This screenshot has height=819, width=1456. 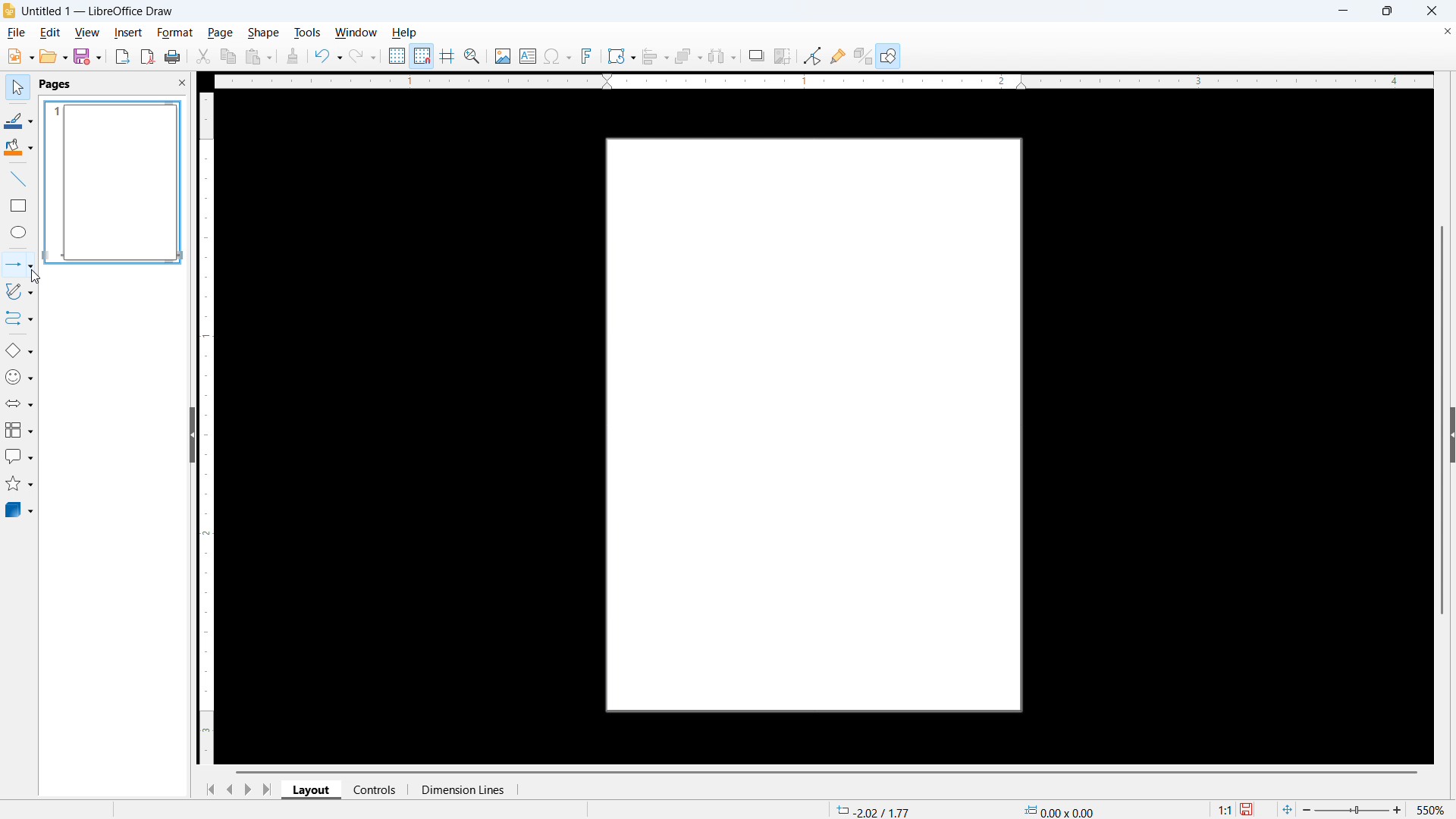 What do you see at coordinates (472, 56) in the screenshot?
I see `Zoom ` at bounding box center [472, 56].